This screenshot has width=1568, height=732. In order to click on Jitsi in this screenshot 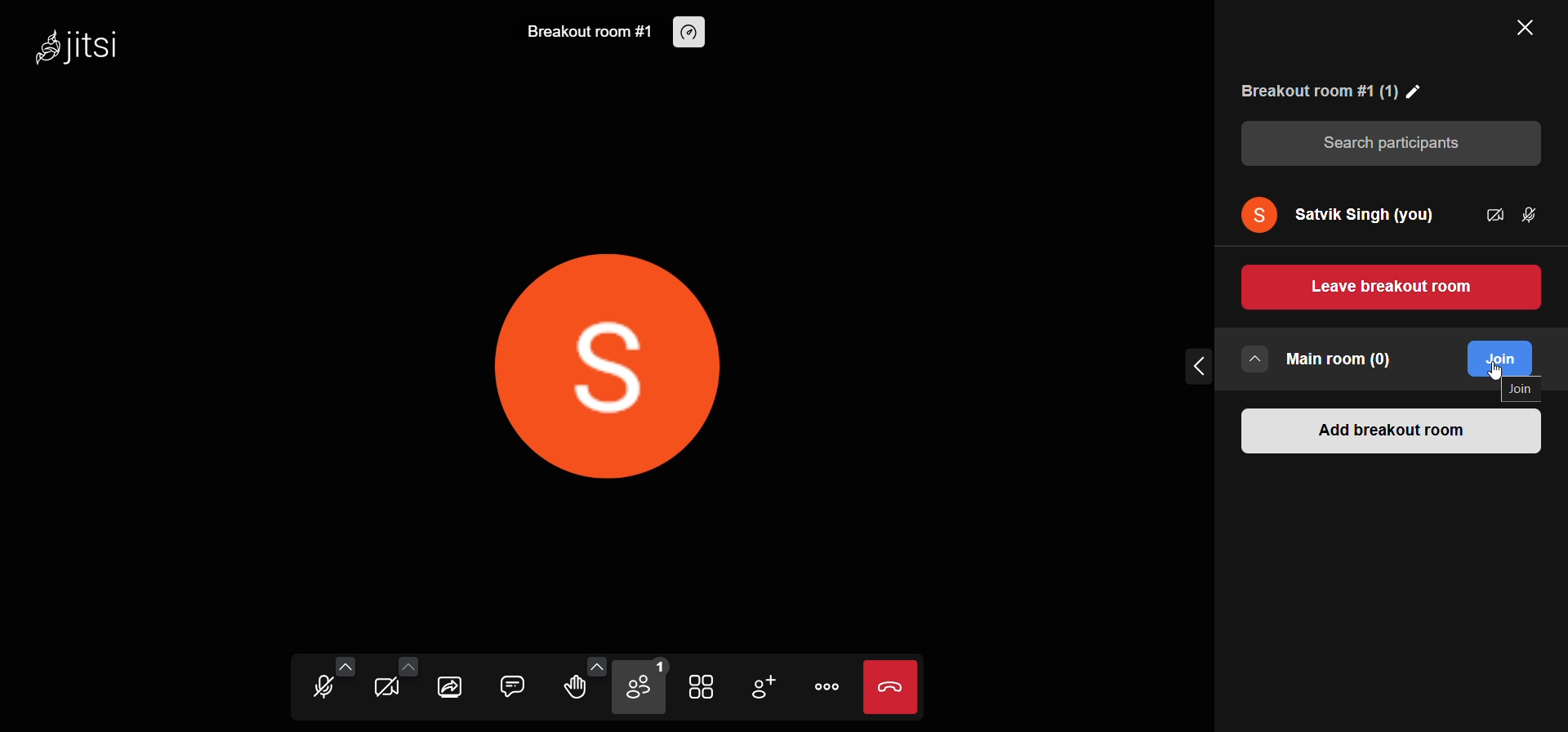, I will do `click(82, 42)`.